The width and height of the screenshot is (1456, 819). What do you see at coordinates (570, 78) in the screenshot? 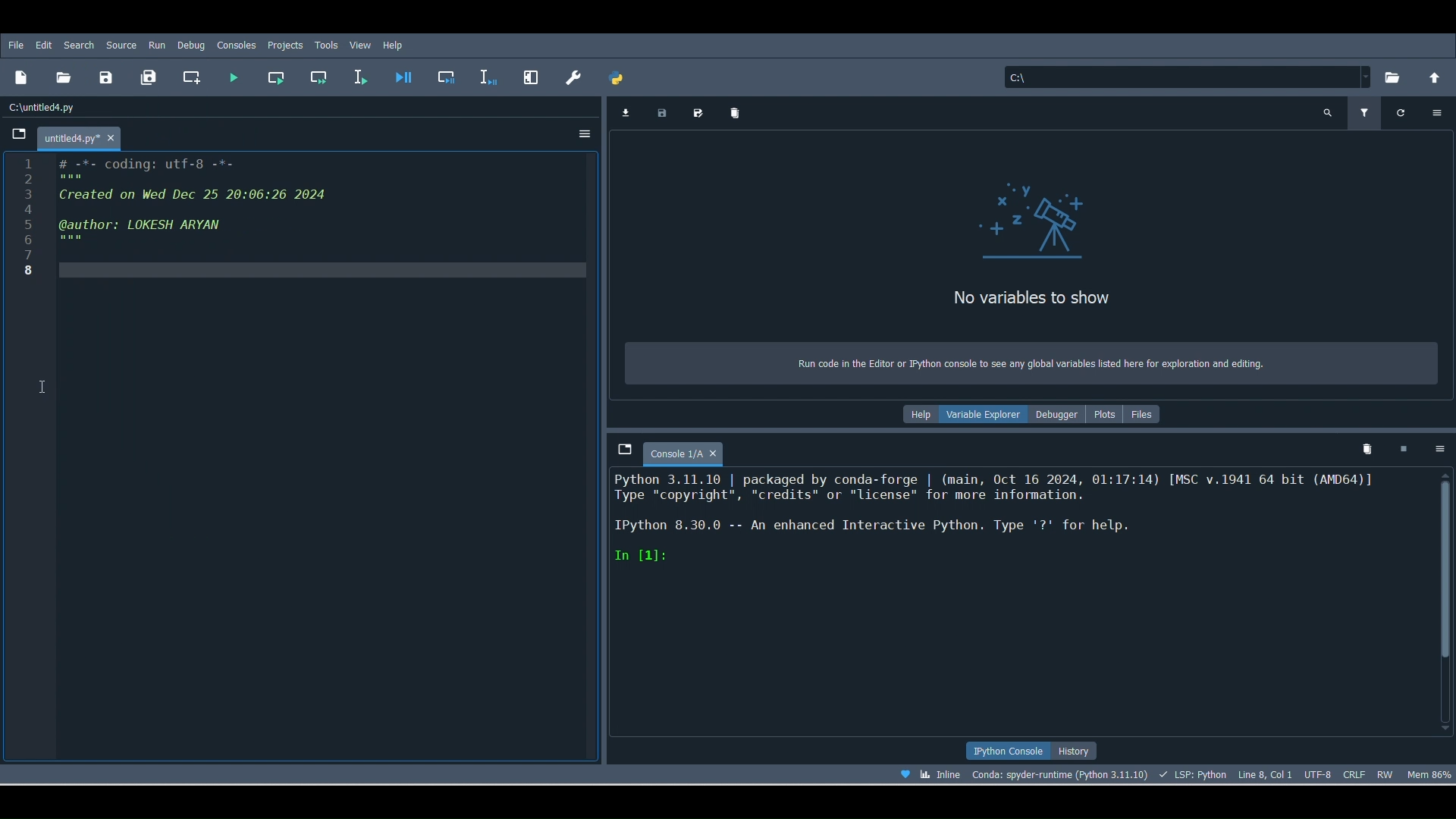
I see `Maximize current pane (Ctrl + Alt + Shift + M)` at bounding box center [570, 78].